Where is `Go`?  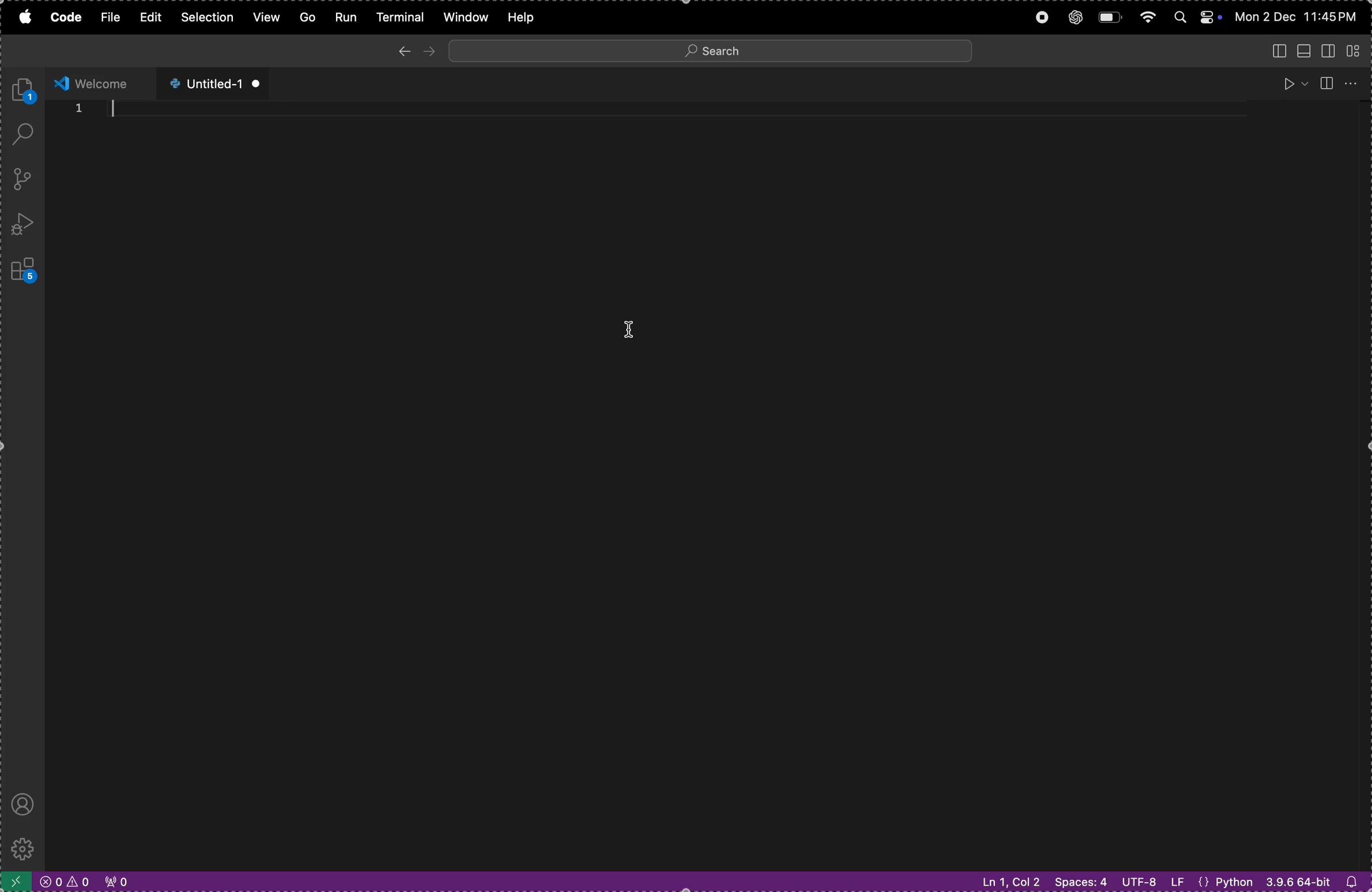 Go is located at coordinates (305, 16).